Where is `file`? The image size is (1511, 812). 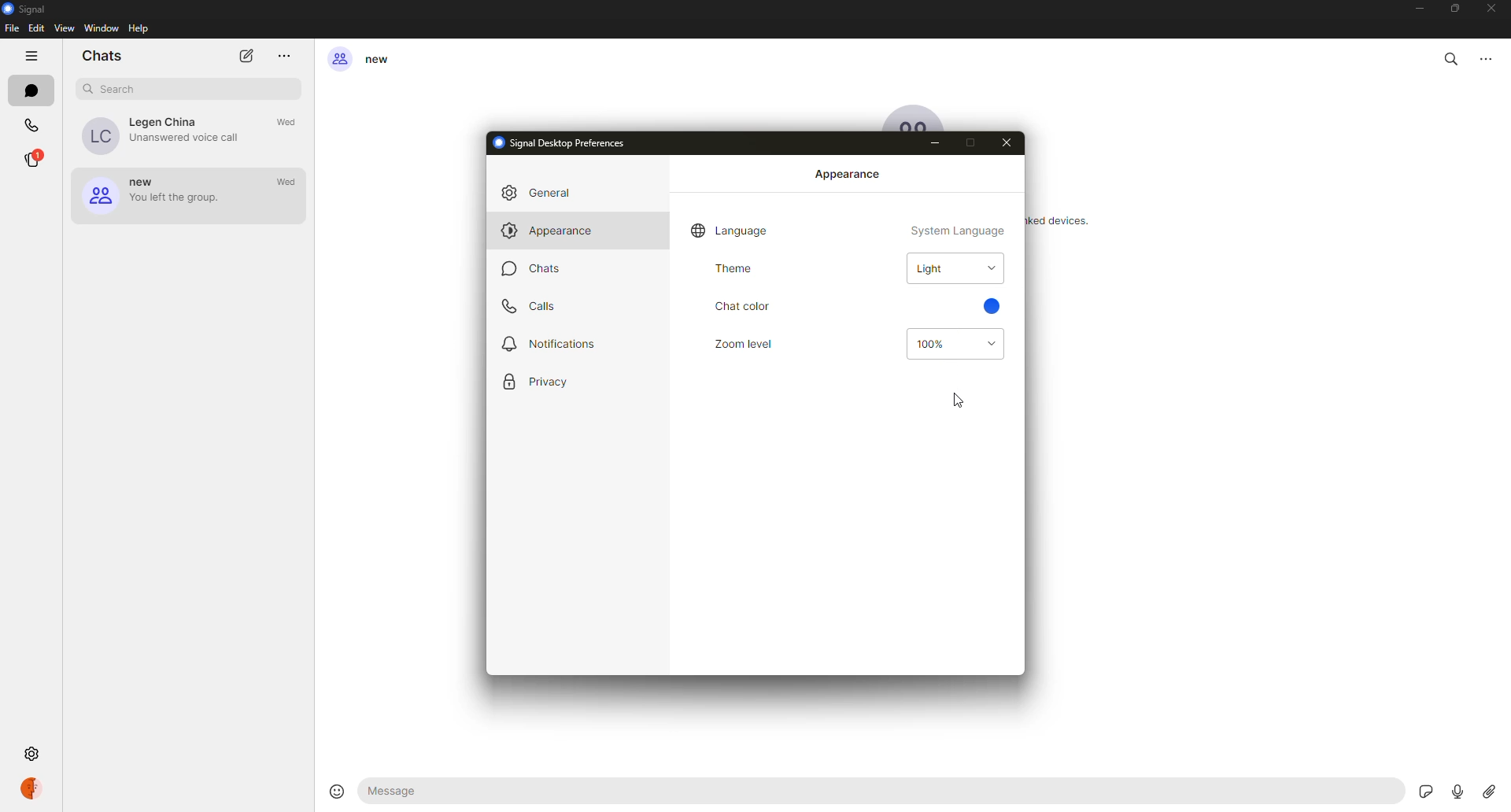 file is located at coordinates (12, 31).